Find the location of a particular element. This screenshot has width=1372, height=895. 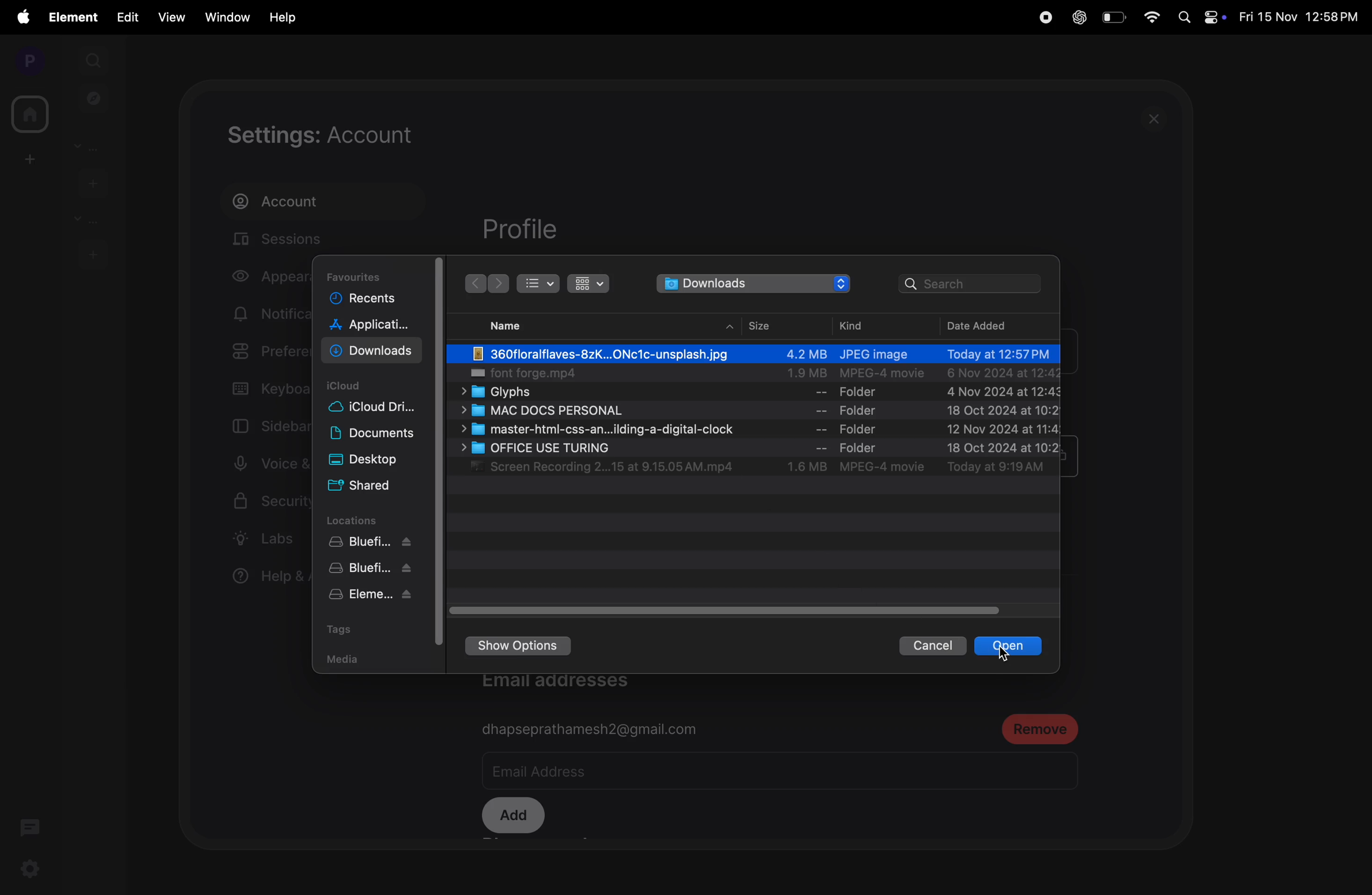

settings is located at coordinates (28, 871).